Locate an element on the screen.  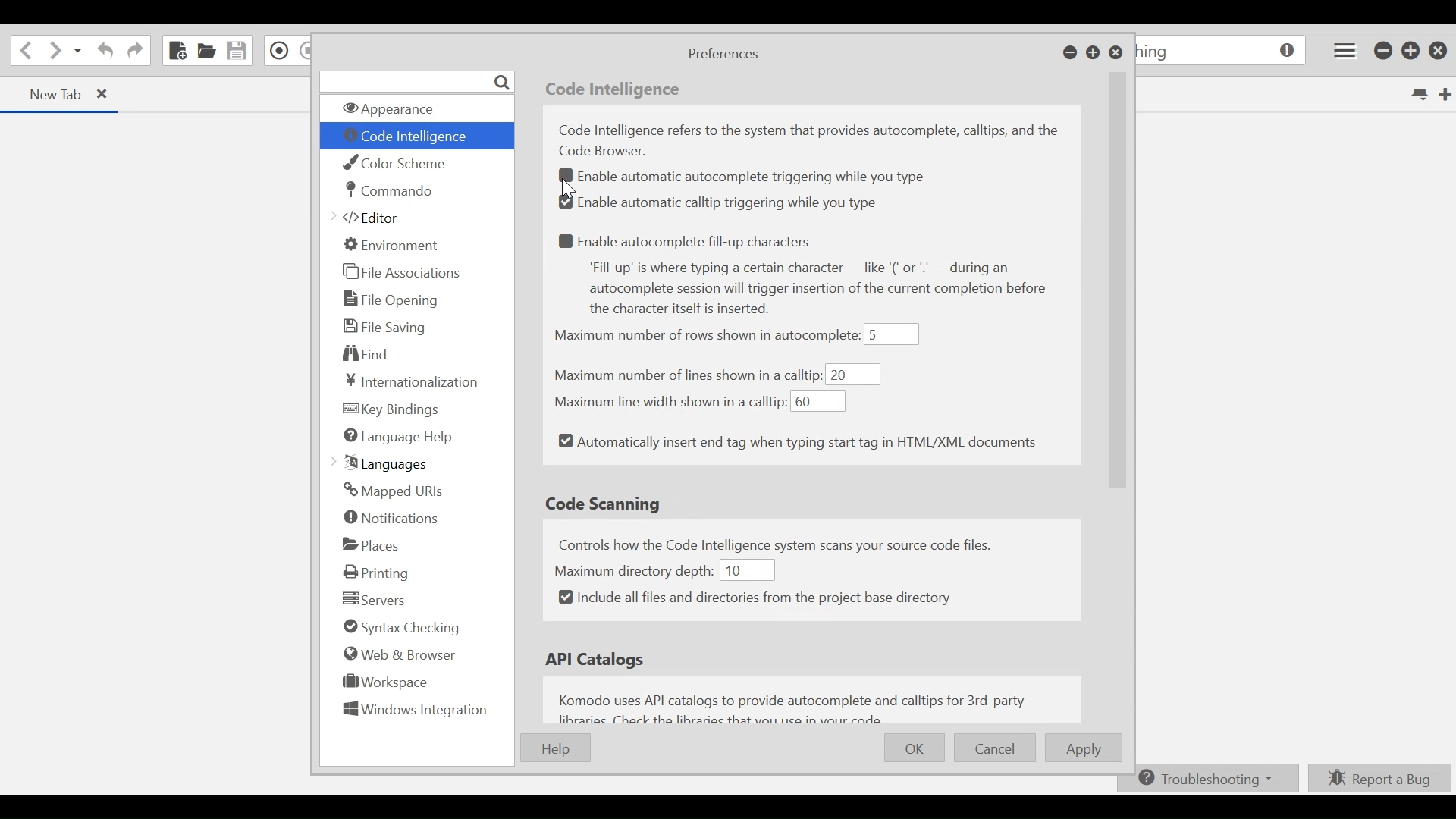
go to anything is located at coordinates (1222, 52).